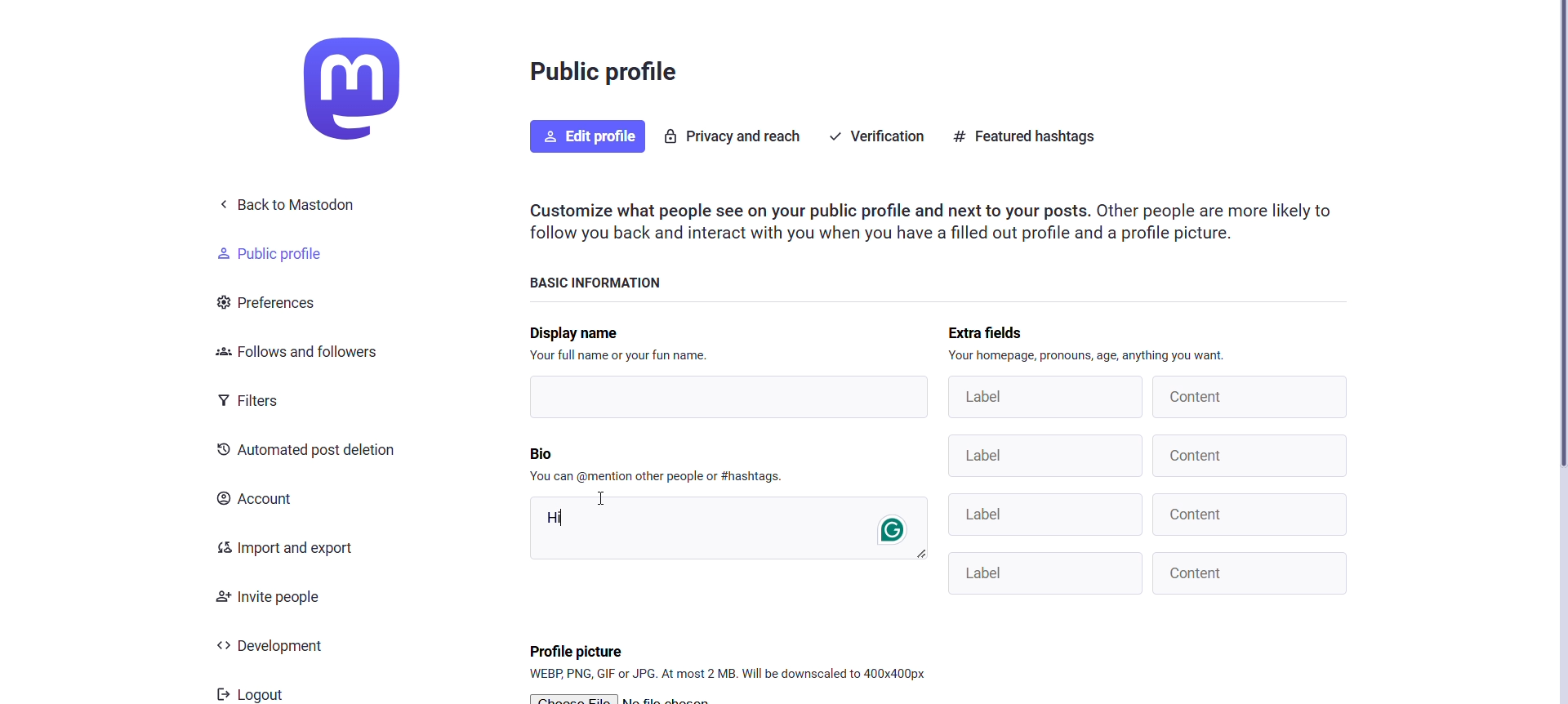  What do you see at coordinates (292, 205) in the screenshot?
I see `Back to Mastodon` at bounding box center [292, 205].